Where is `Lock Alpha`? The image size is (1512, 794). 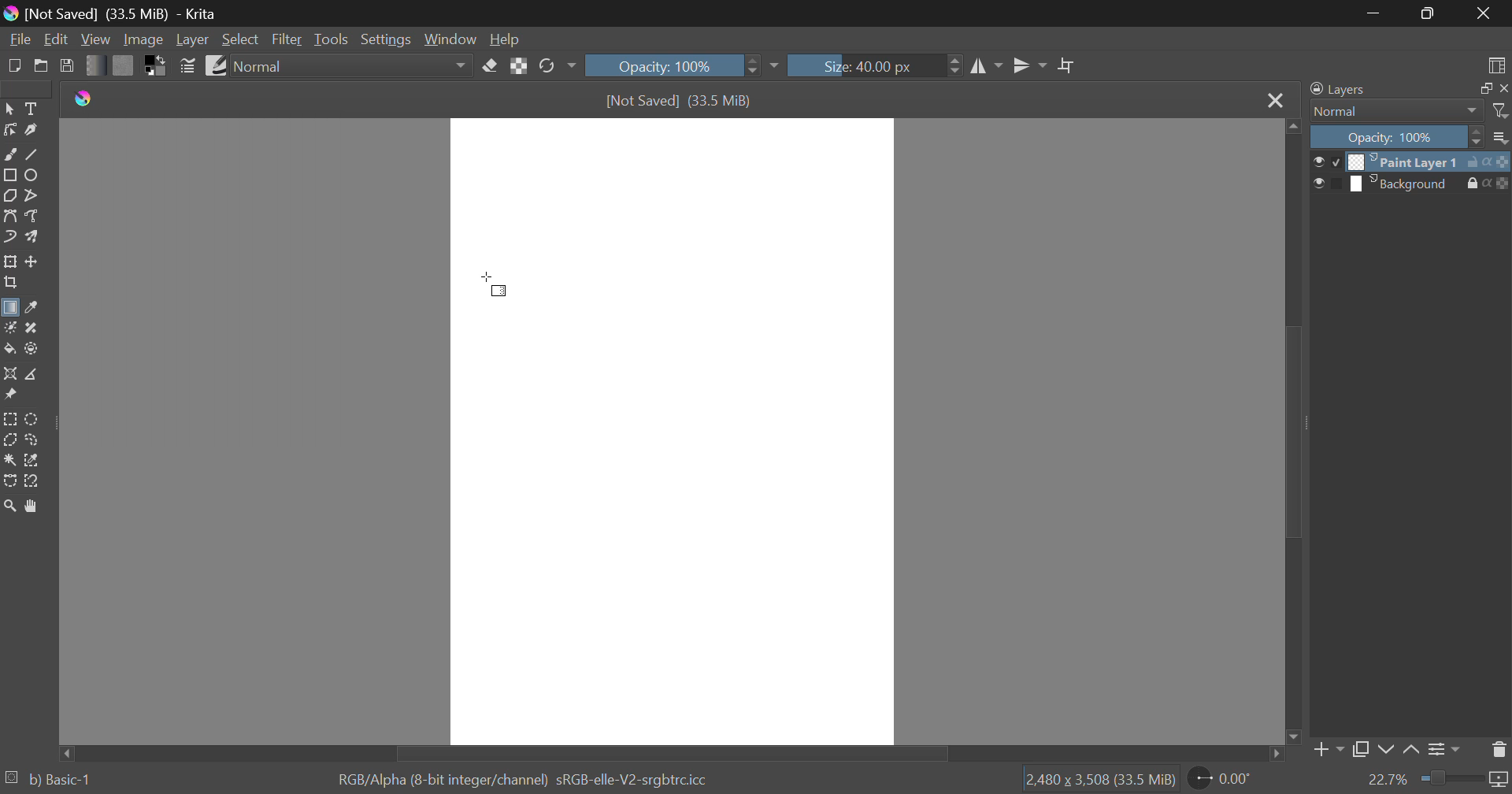 Lock Alpha is located at coordinates (518, 66).